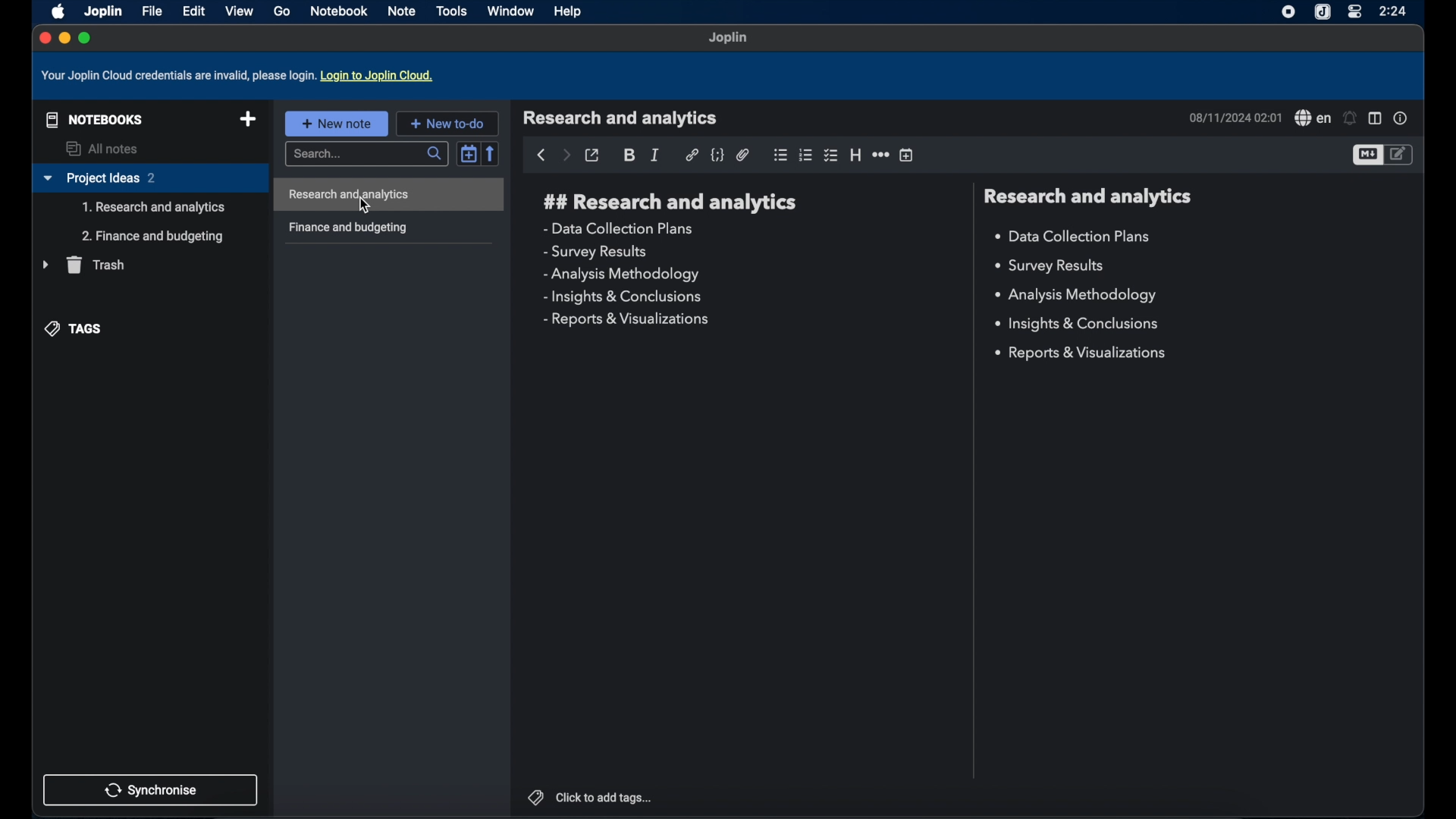 The height and width of the screenshot is (819, 1456). Describe the element at coordinates (75, 328) in the screenshot. I see `tags` at that location.